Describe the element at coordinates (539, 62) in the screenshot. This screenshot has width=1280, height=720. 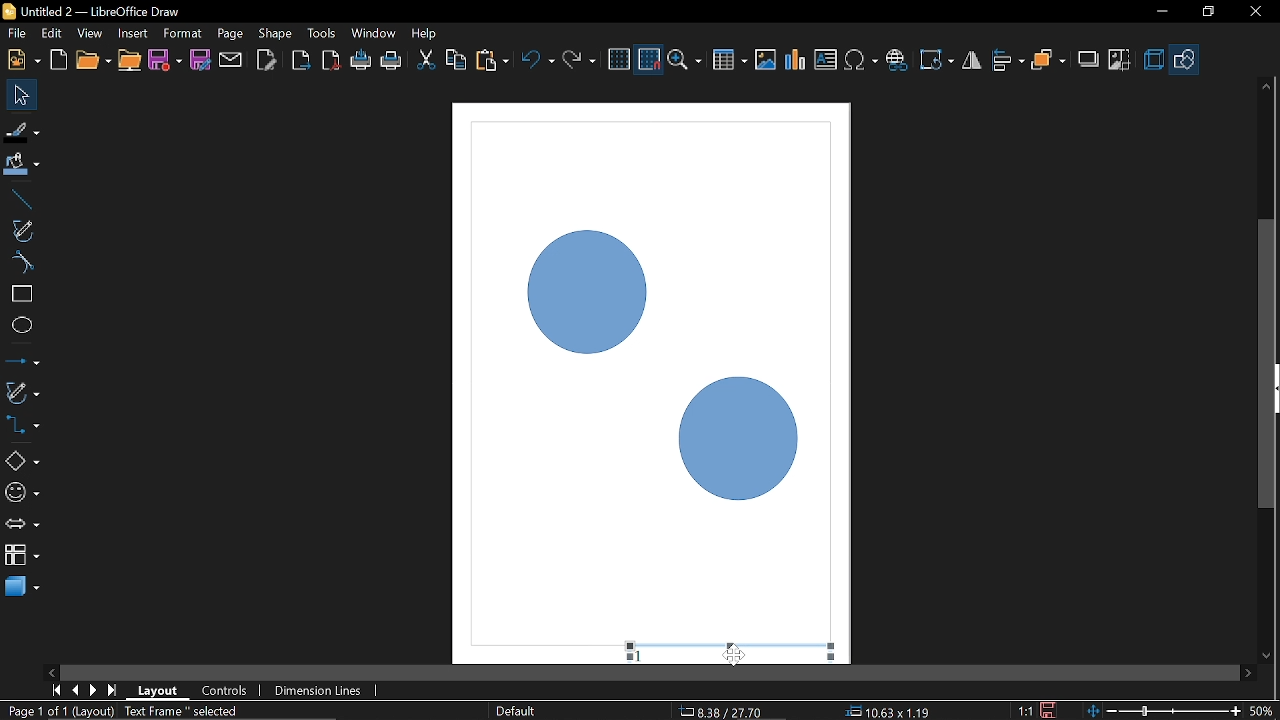
I see `Undo` at that location.